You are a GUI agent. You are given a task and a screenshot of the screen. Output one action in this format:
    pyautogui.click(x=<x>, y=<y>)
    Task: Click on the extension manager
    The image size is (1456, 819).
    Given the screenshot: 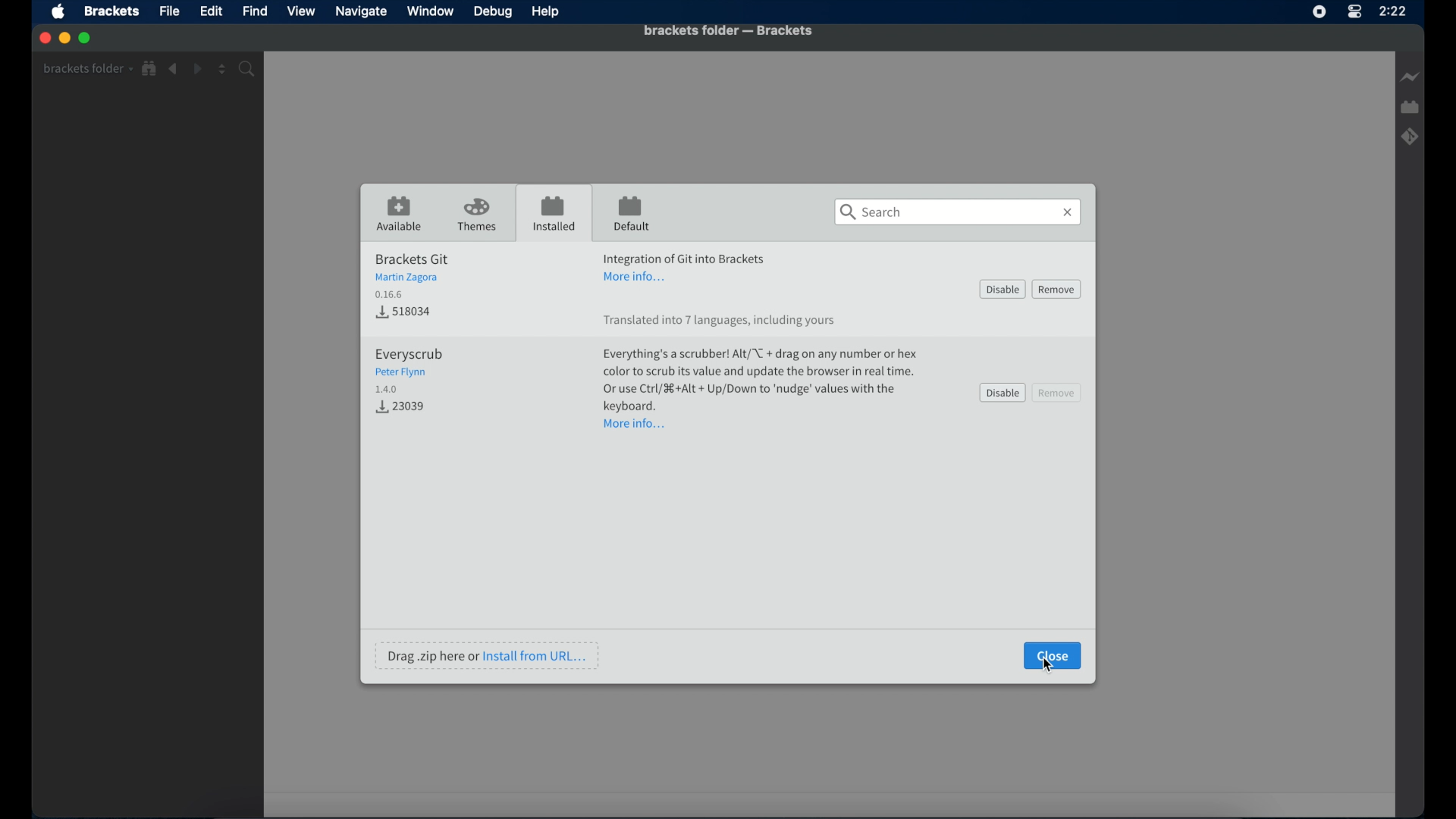 What is the action you would take?
    pyautogui.click(x=1411, y=108)
    